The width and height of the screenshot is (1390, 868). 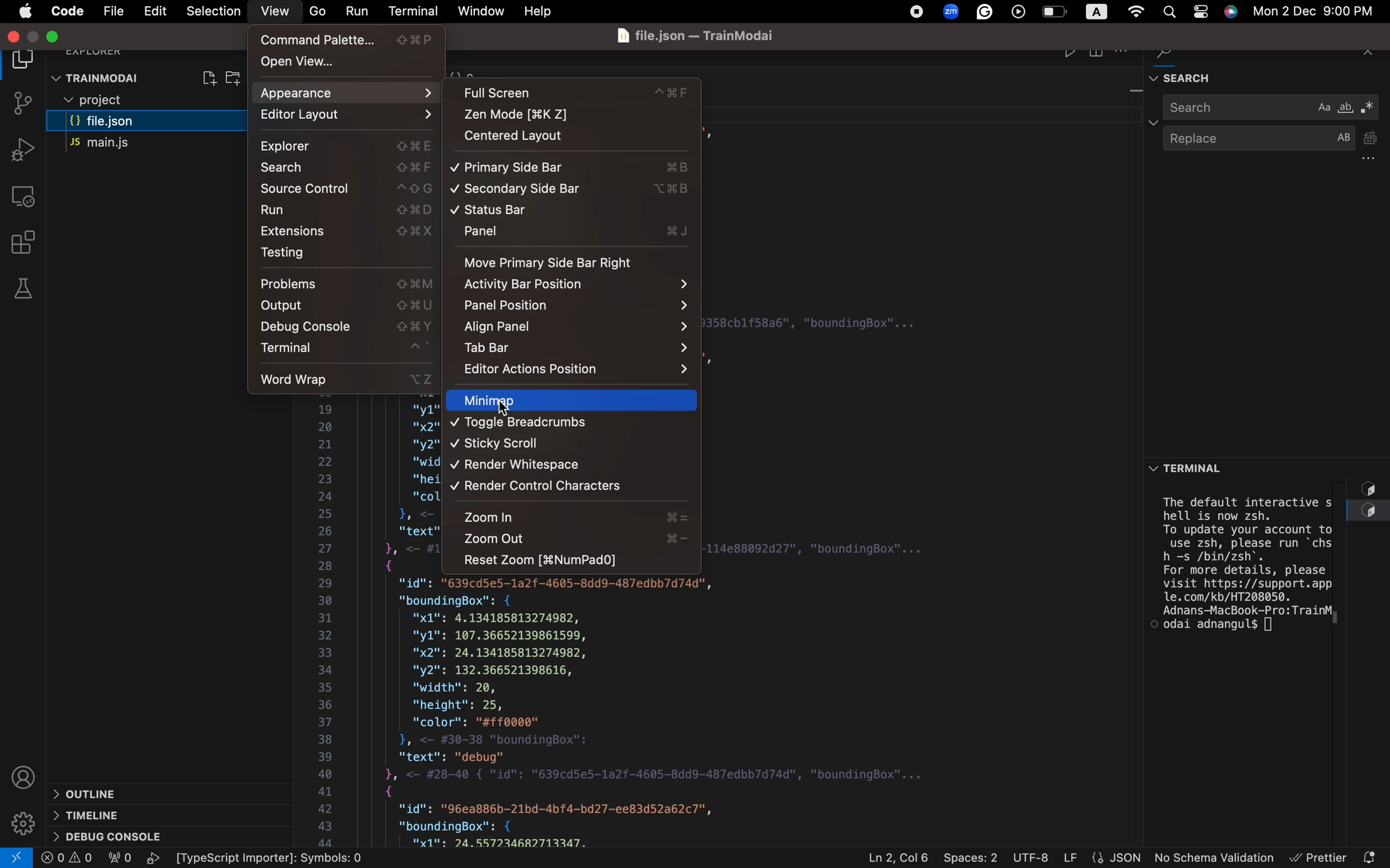 What do you see at coordinates (574, 423) in the screenshot?
I see `` at bounding box center [574, 423].